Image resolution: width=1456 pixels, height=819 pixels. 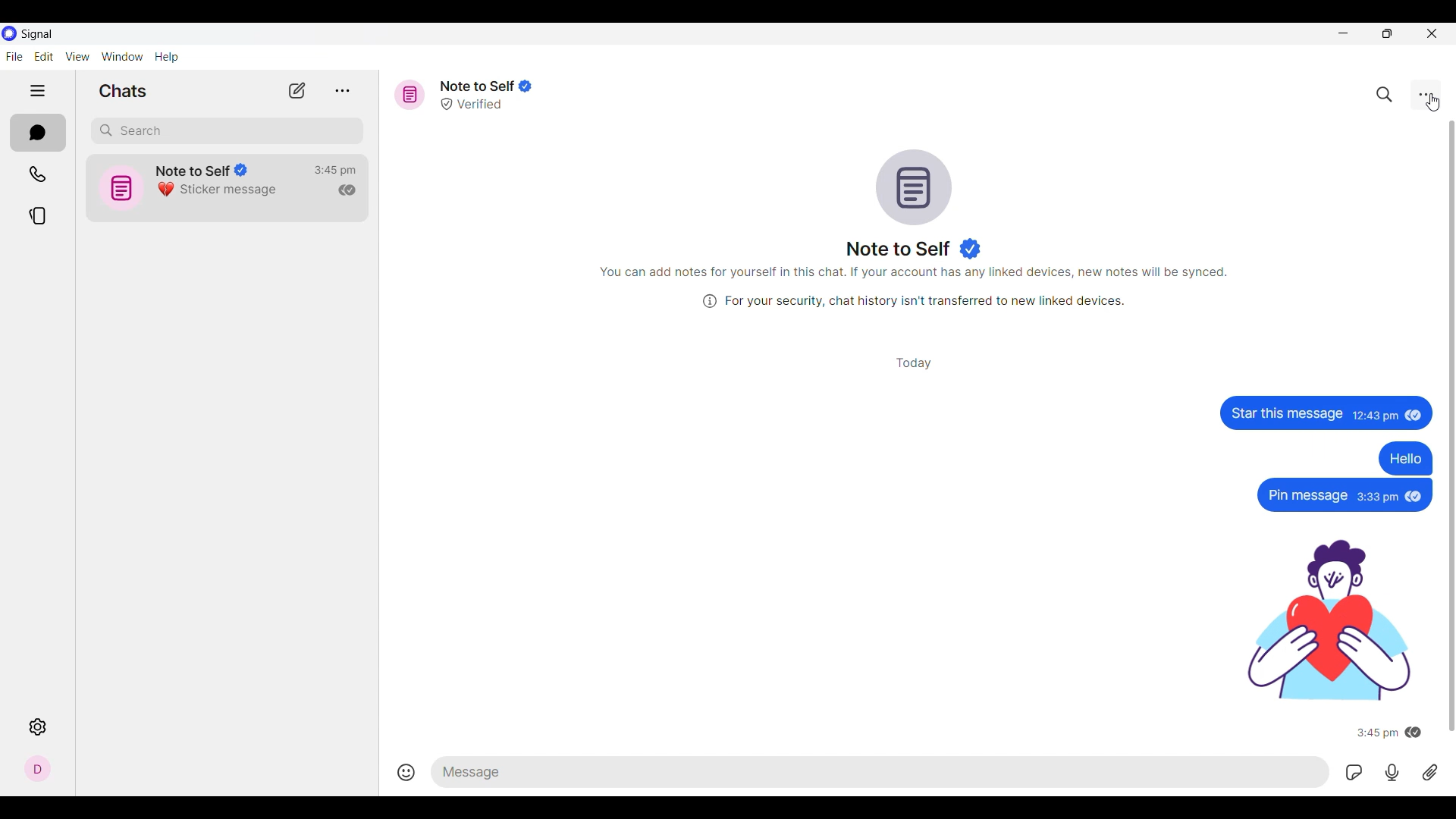 What do you see at coordinates (1426, 94) in the screenshot?
I see `Chat settings` at bounding box center [1426, 94].